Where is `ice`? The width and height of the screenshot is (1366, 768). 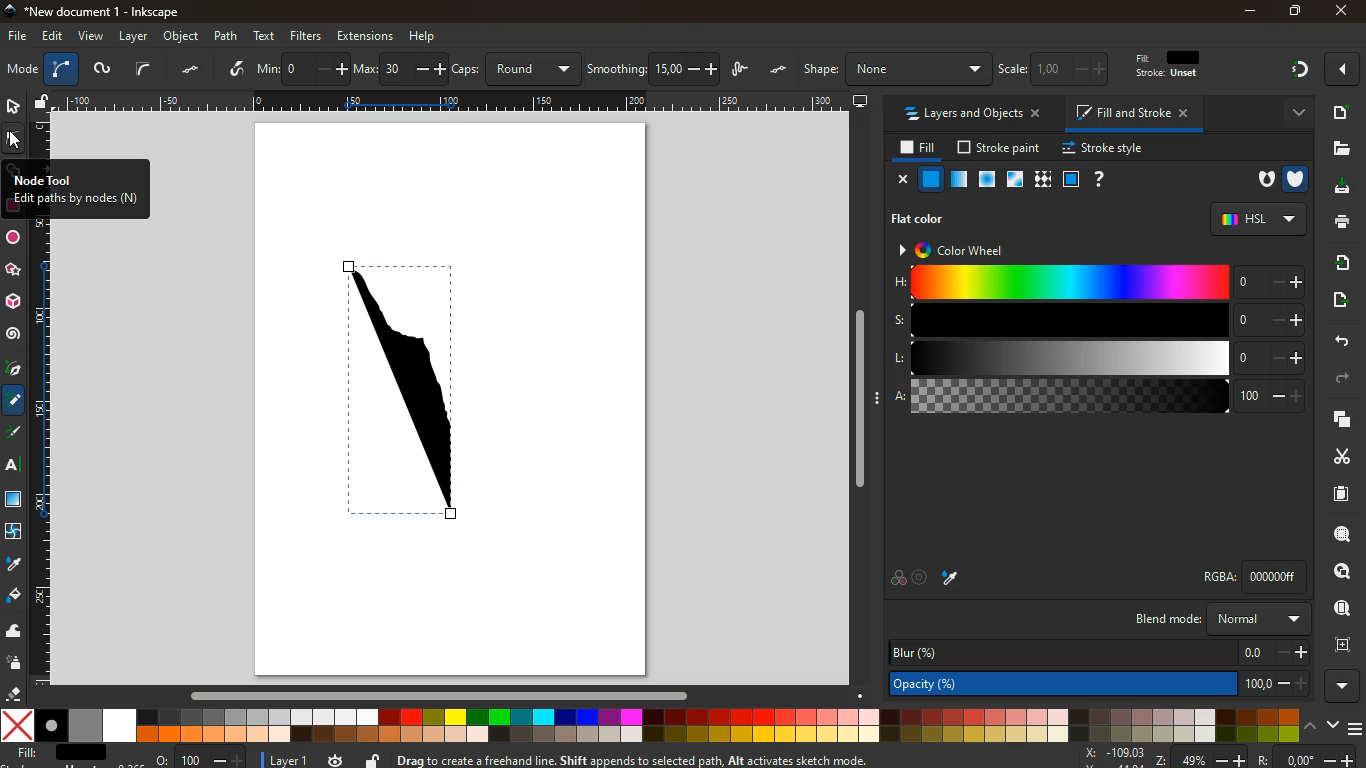
ice is located at coordinates (989, 180).